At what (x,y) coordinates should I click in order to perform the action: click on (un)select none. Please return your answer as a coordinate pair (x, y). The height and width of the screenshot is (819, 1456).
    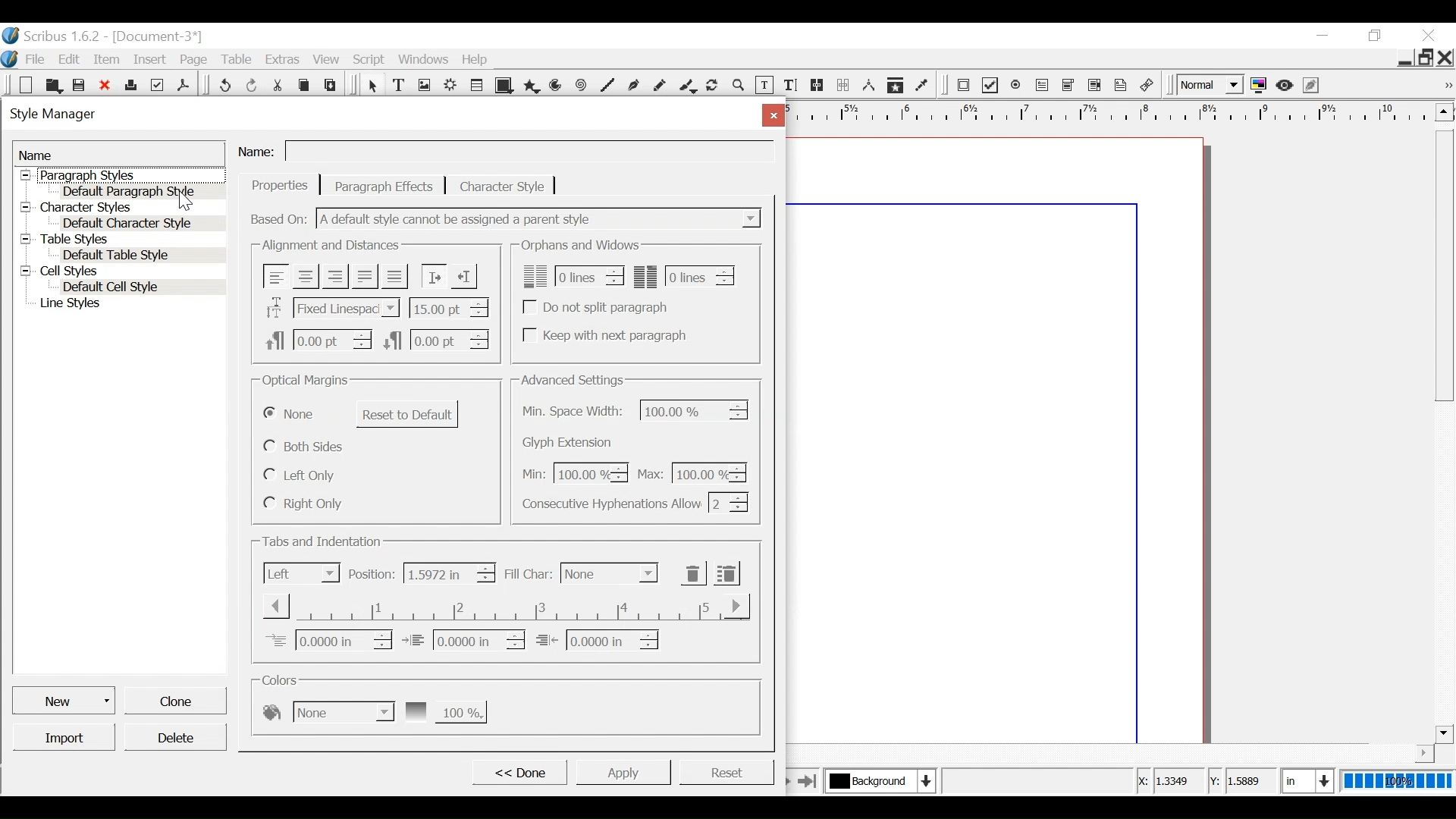
    Looking at the image, I should click on (290, 415).